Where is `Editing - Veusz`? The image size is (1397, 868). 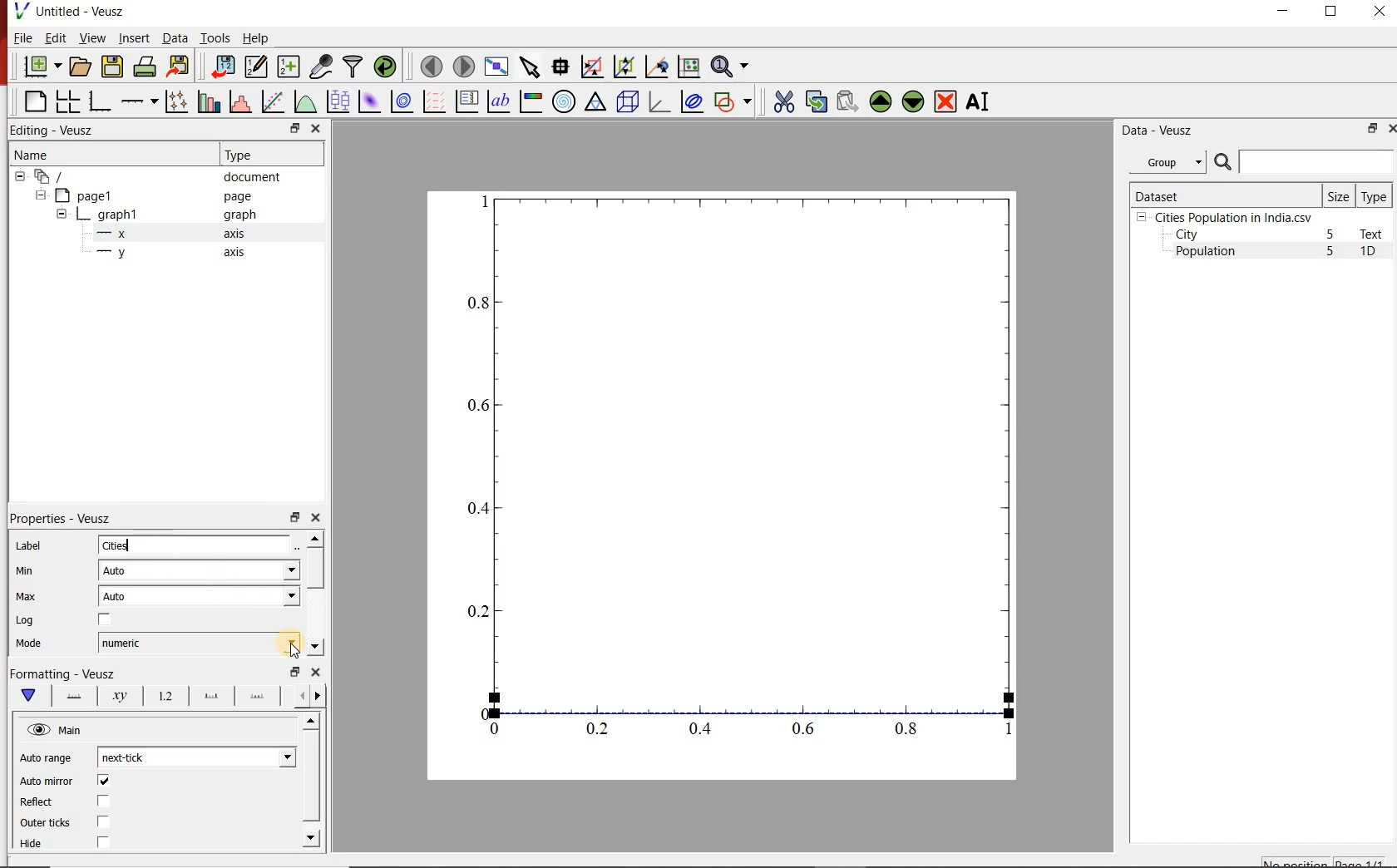
Editing - Veusz is located at coordinates (61, 130).